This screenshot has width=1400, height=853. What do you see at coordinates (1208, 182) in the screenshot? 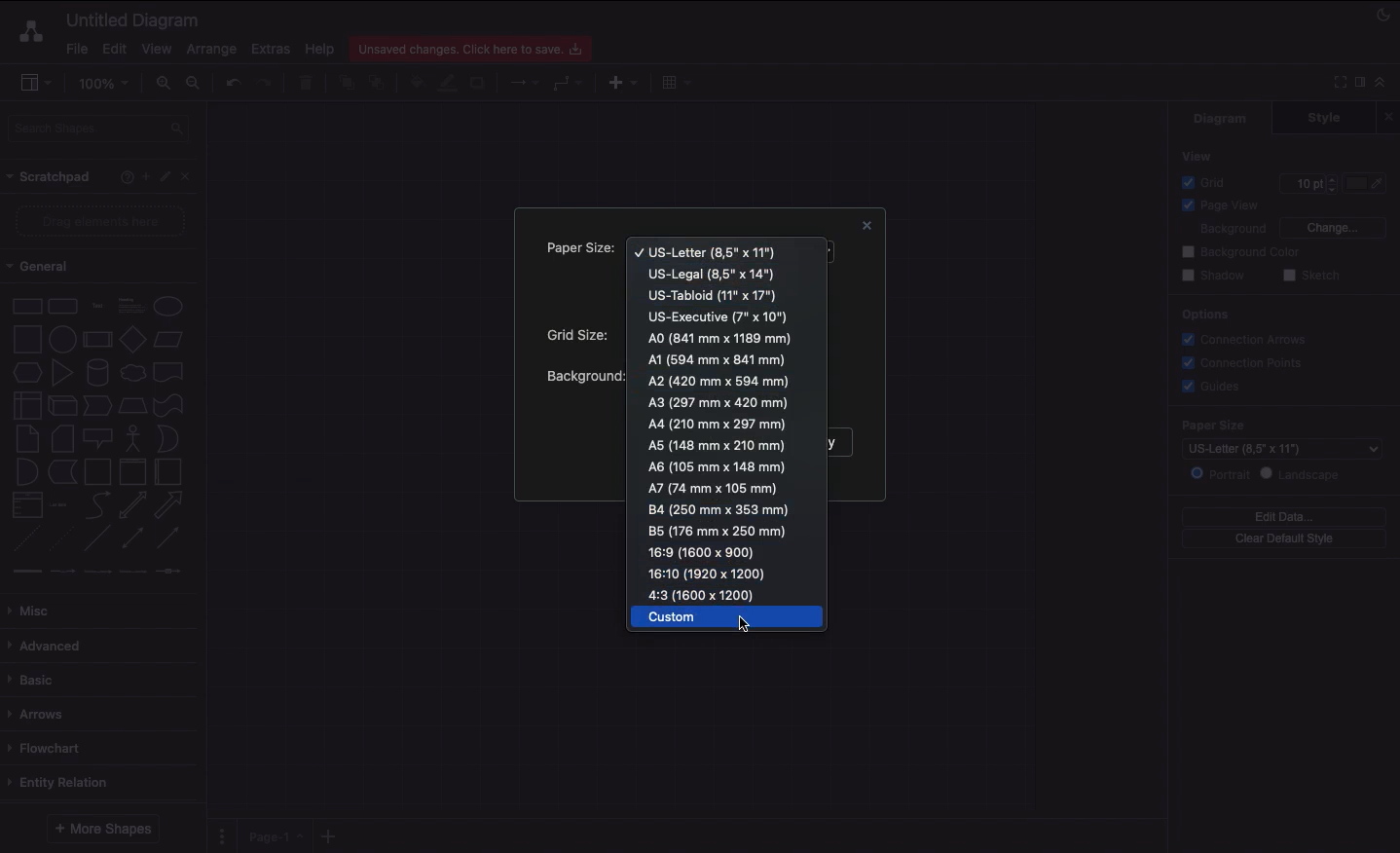
I see `Grid` at bounding box center [1208, 182].